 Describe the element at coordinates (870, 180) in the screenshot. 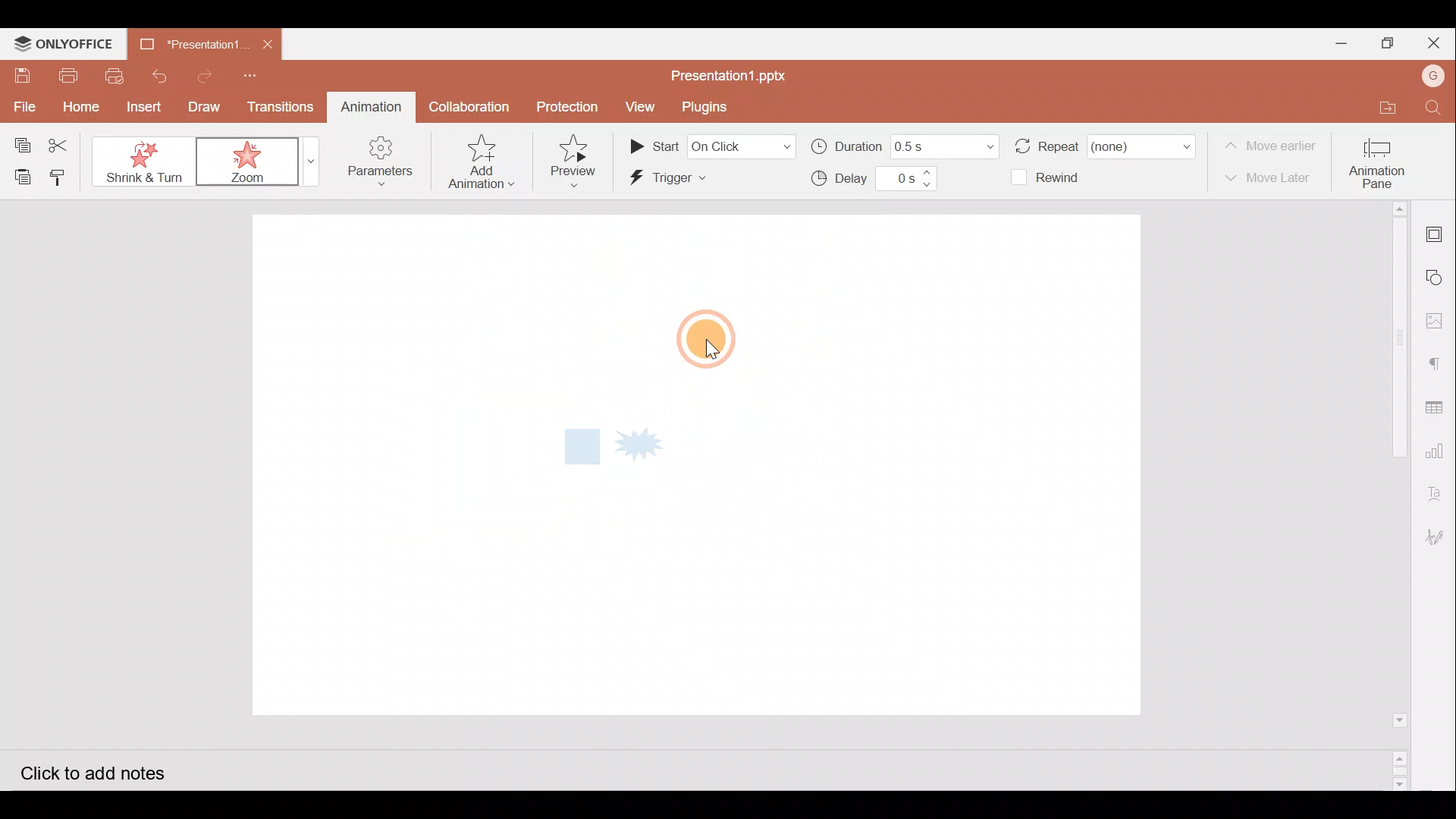

I see `Delay` at that location.